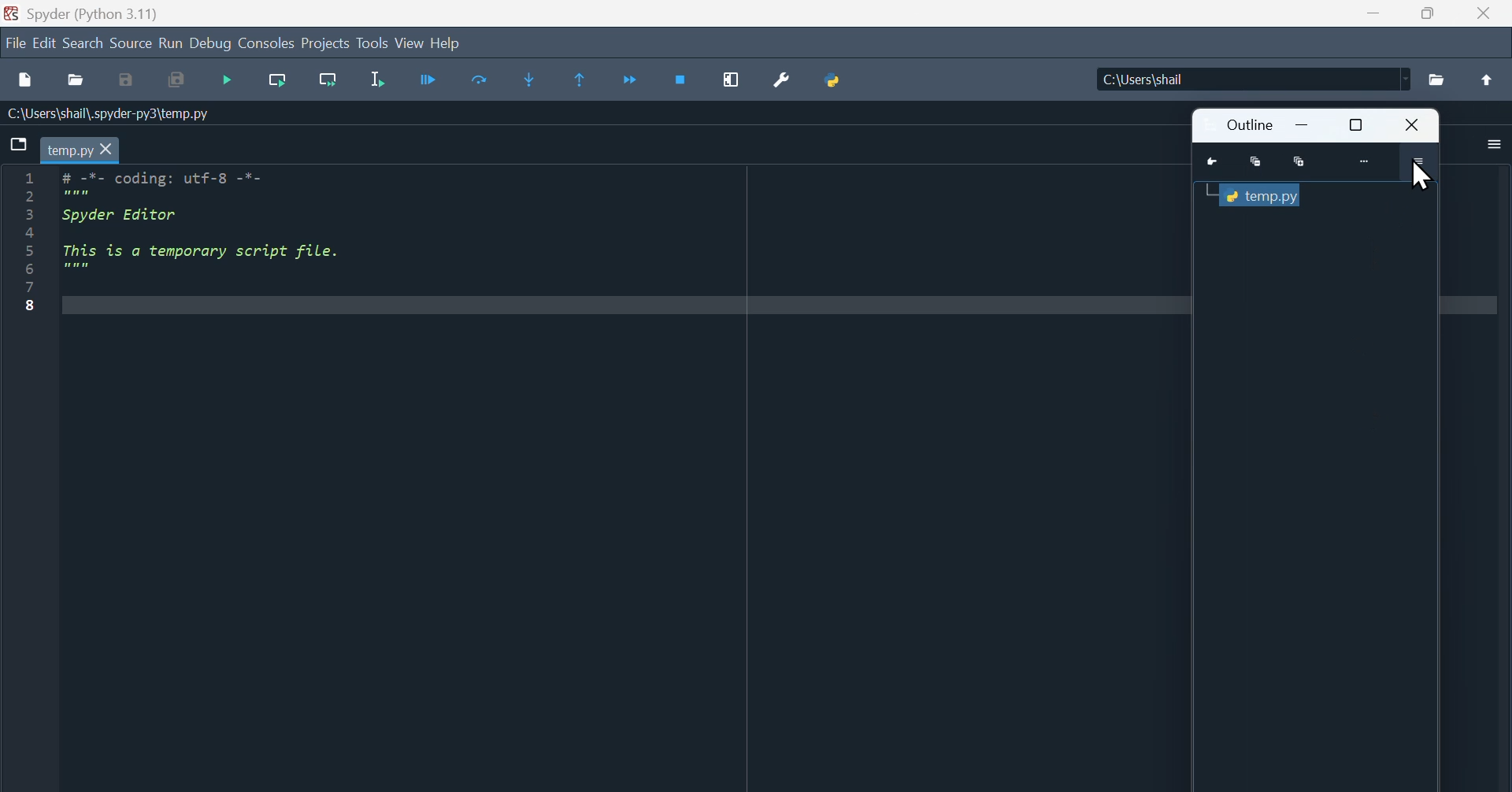 The image size is (1512, 792). I want to click on Edit, so click(46, 41).